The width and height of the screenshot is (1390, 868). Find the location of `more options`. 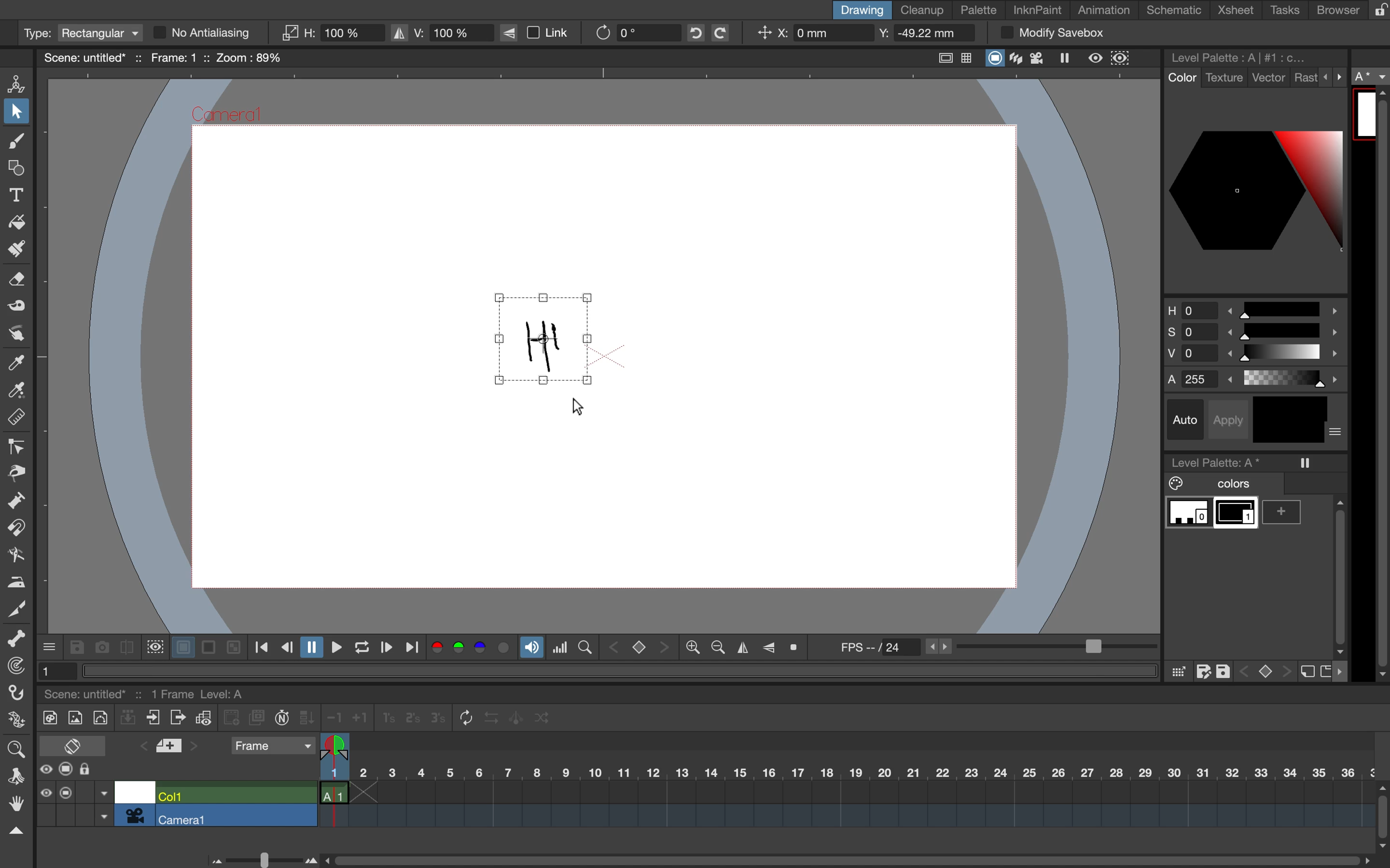

more options is located at coordinates (1344, 672).